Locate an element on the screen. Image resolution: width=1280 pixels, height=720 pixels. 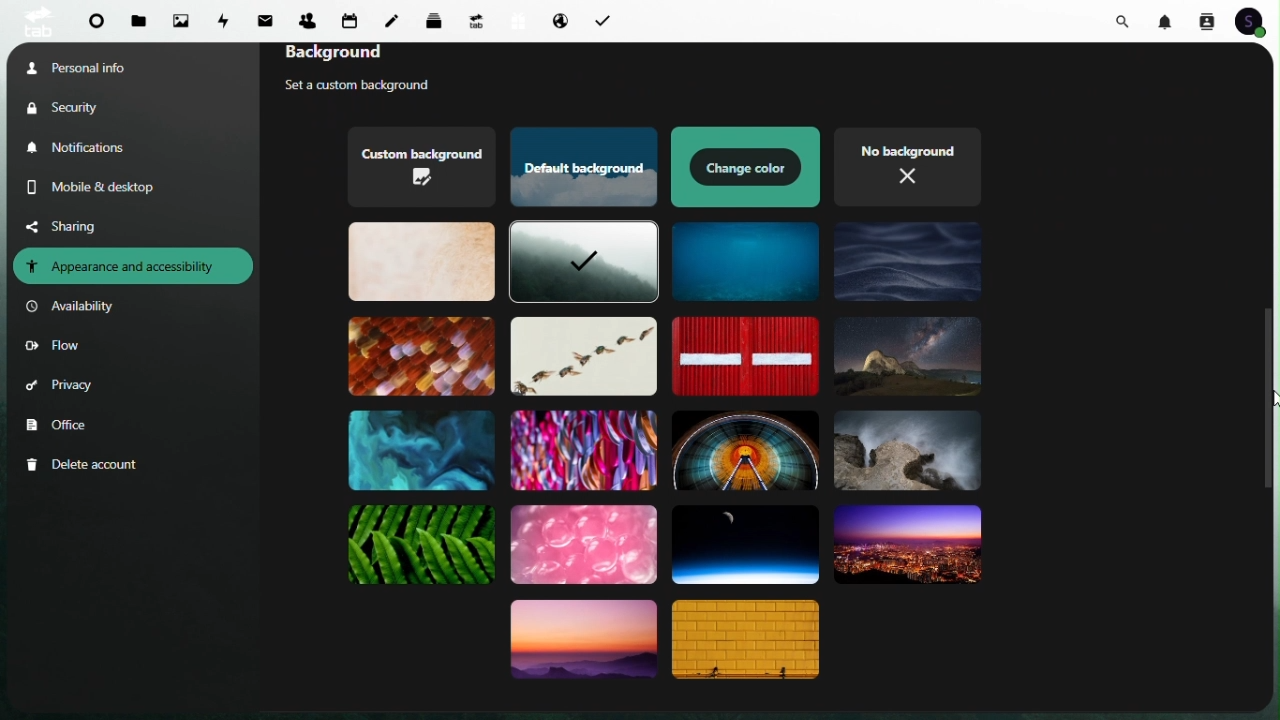
Delete account is located at coordinates (86, 465).